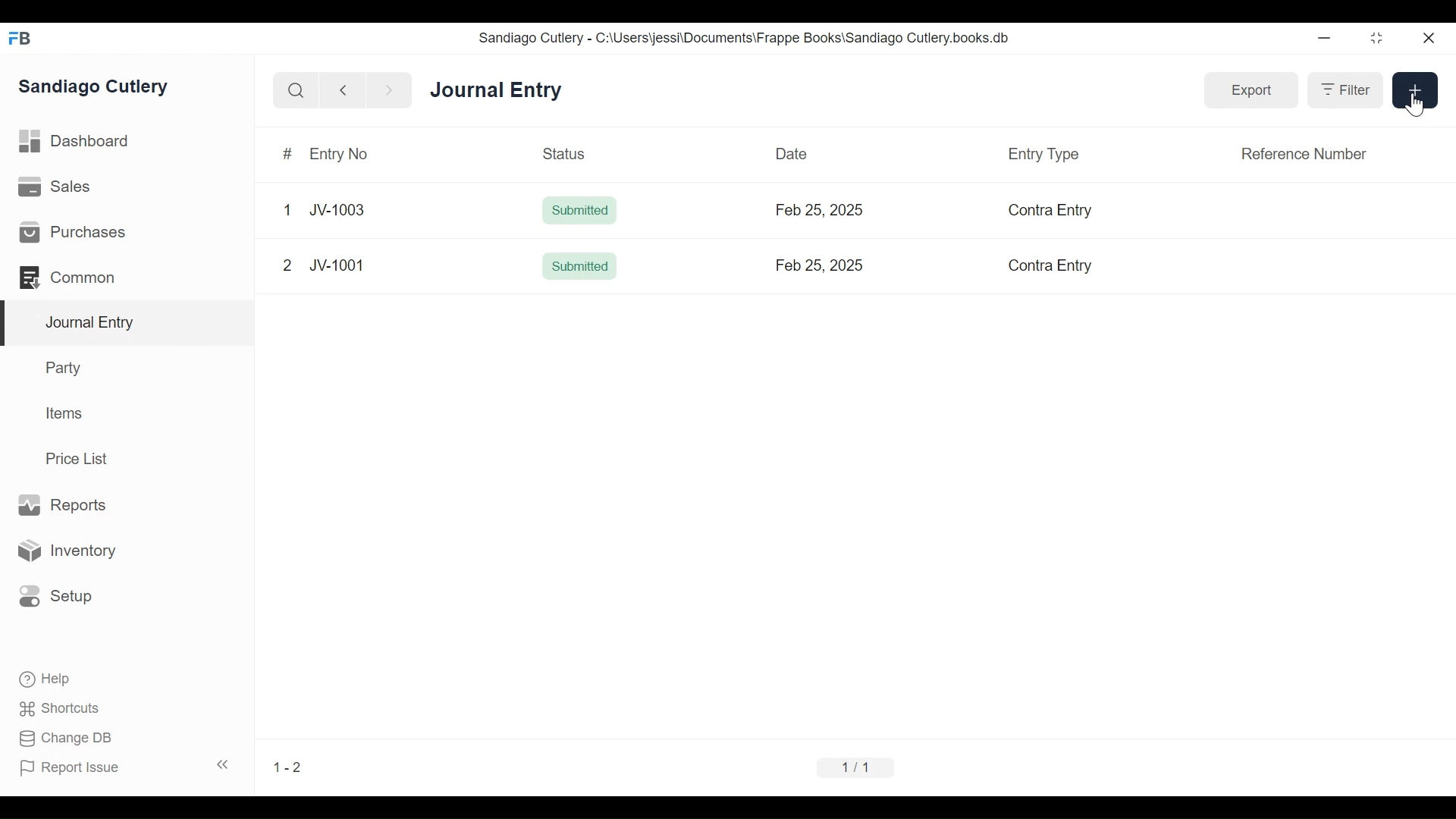 Image resolution: width=1456 pixels, height=819 pixels. Describe the element at coordinates (1427, 38) in the screenshot. I see `Close` at that location.